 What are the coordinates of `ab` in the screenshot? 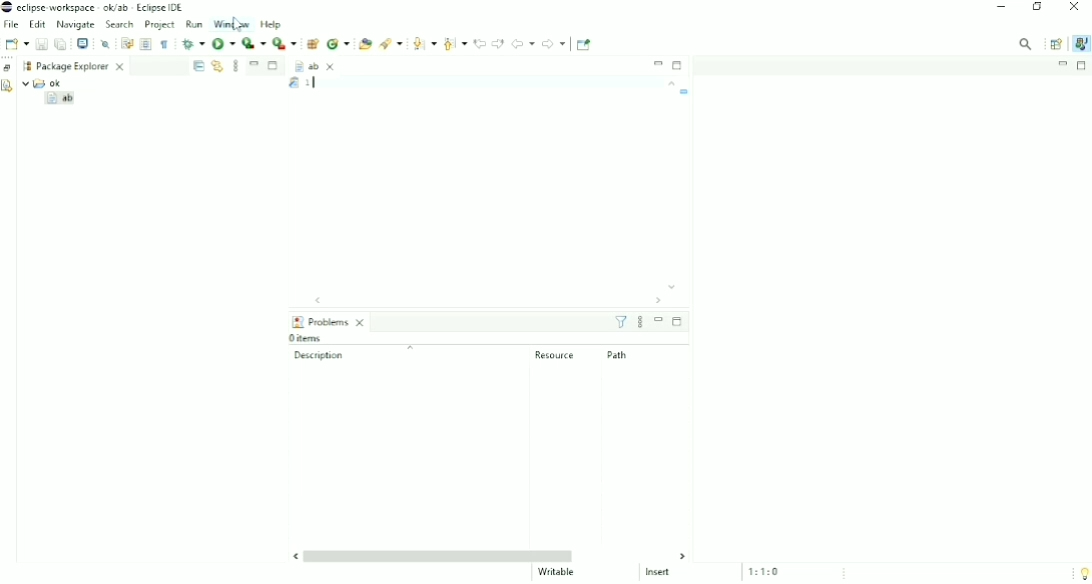 It's located at (315, 64).